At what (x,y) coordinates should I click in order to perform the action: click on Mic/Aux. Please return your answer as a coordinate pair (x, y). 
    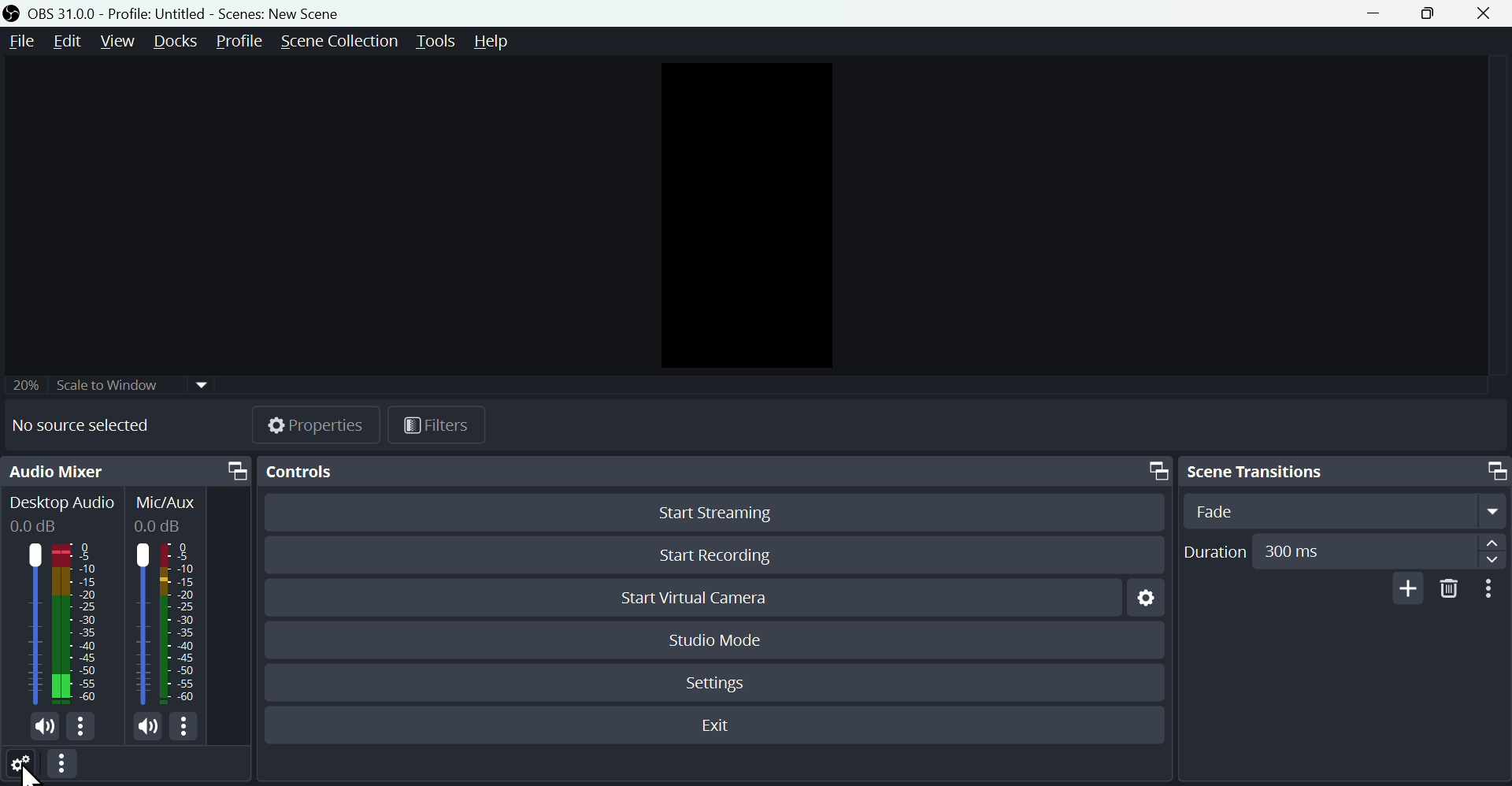
    Looking at the image, I should click on (169, 503).